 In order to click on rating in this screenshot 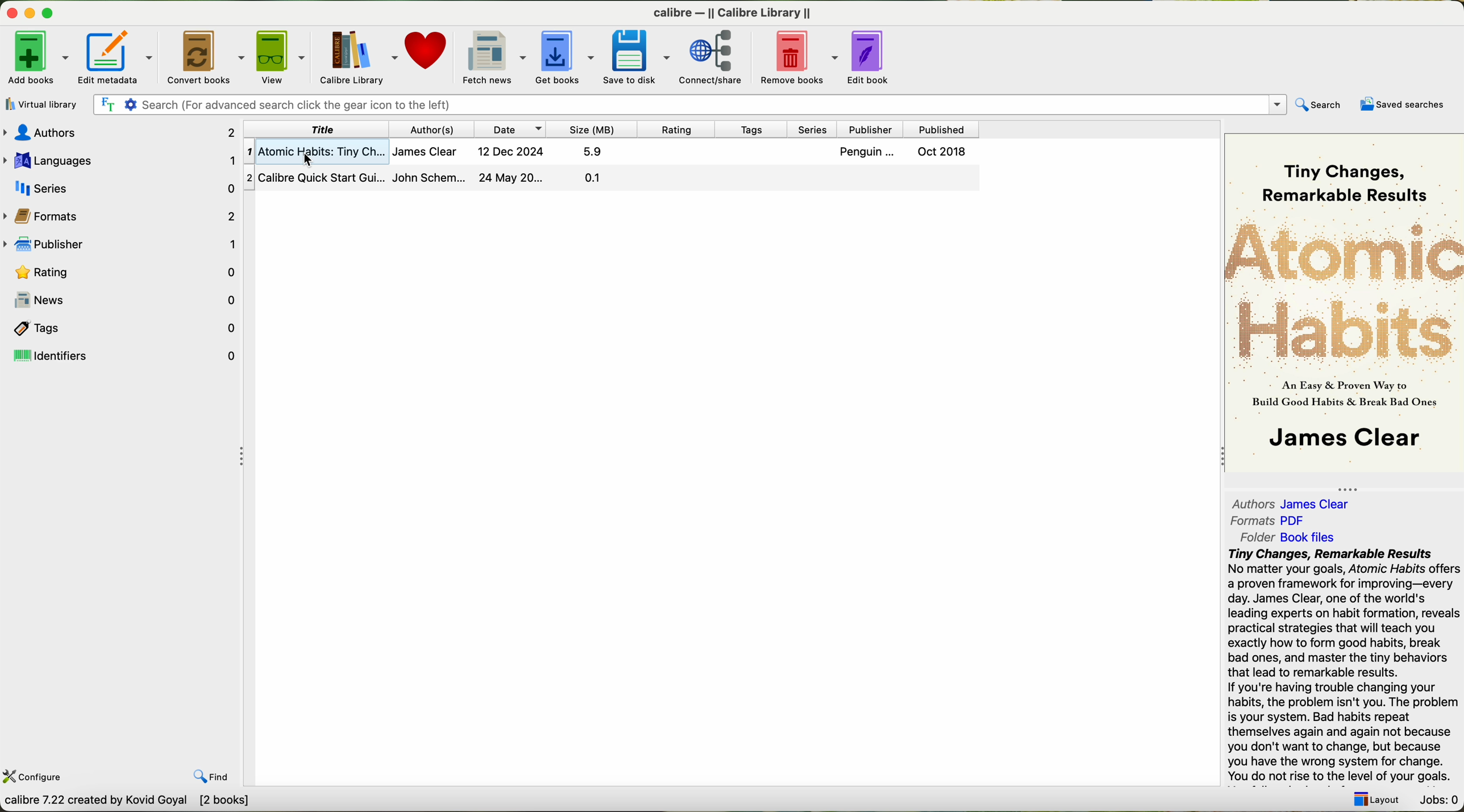, I will do `click(121, 270)`.